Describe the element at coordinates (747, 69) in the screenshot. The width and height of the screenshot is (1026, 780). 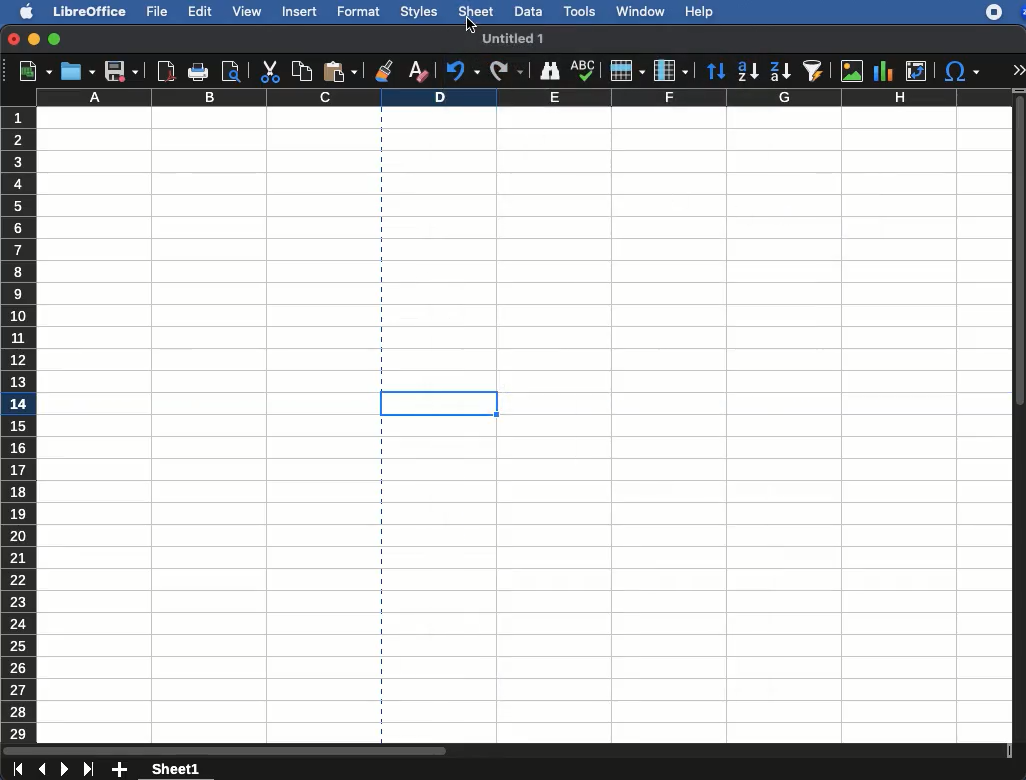
I see `ascending` at that location.